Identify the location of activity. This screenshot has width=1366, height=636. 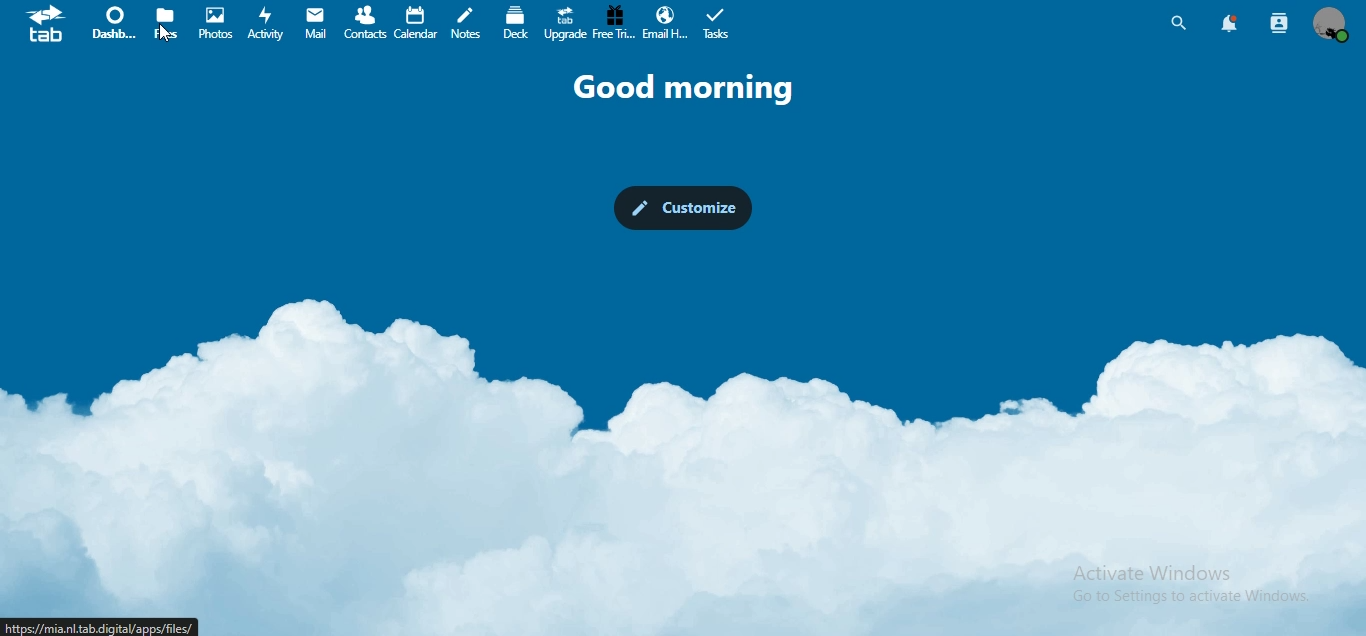
(265, 25).